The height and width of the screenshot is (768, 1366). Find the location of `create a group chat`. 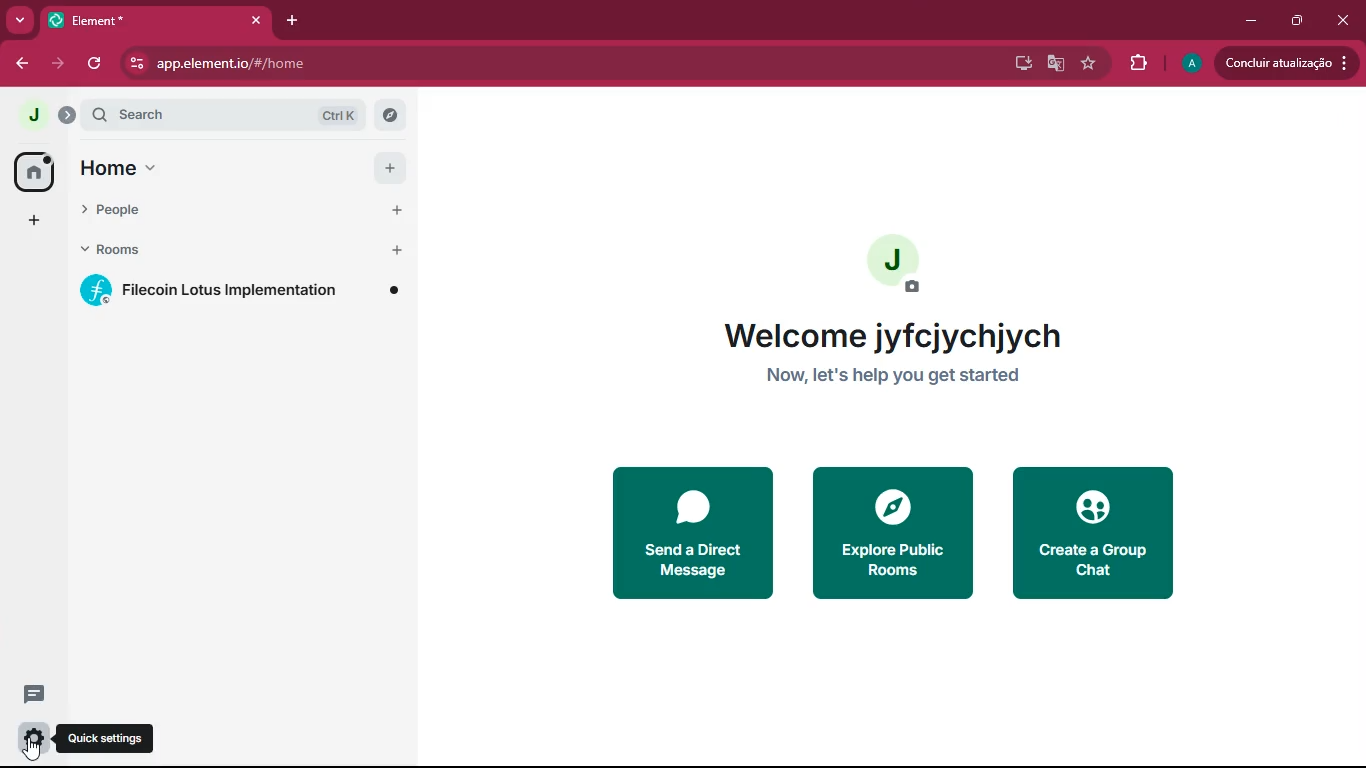

create a group chat is located at coordinates (1096, 531).